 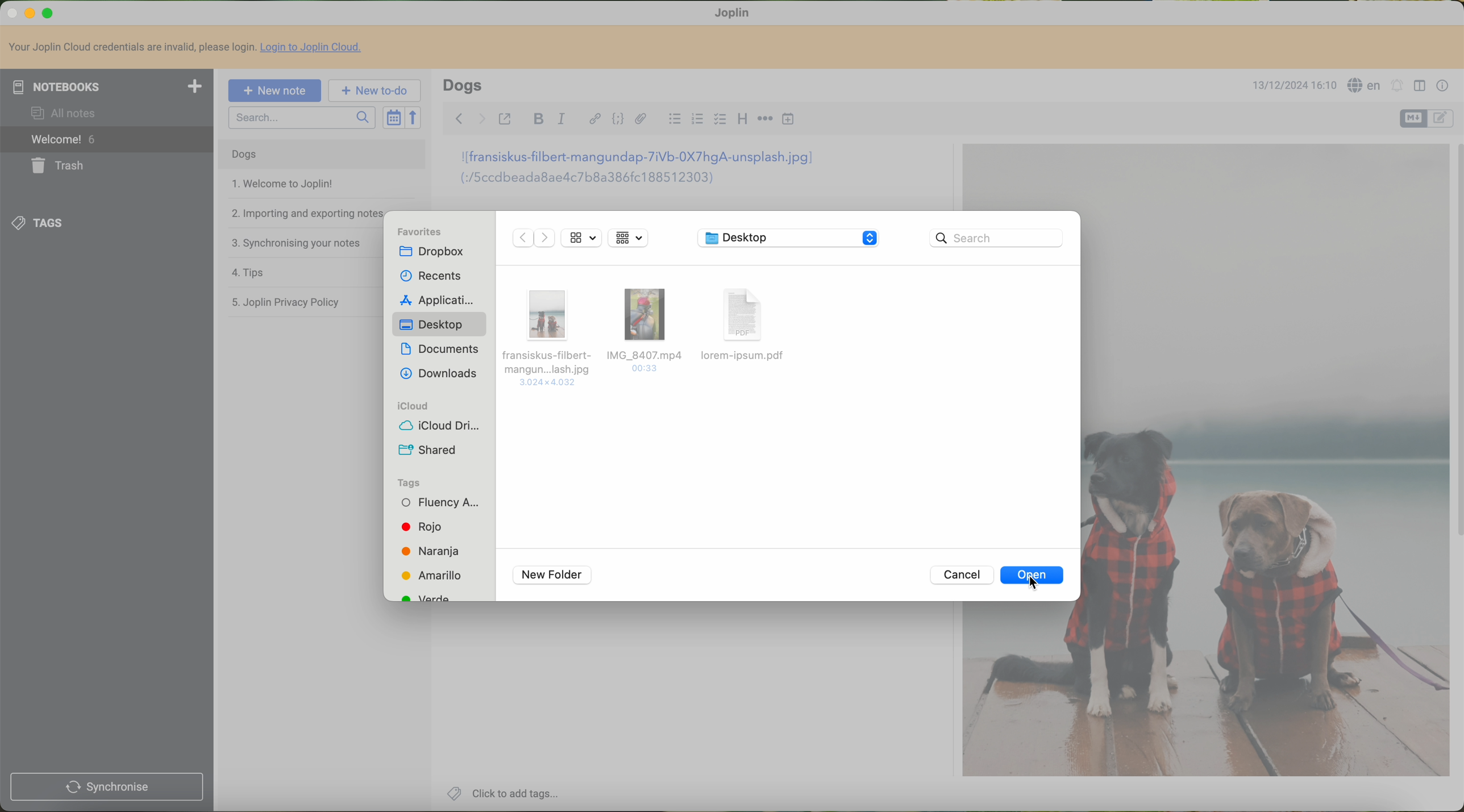 I want to click on trash, so click(x=62, y=165).